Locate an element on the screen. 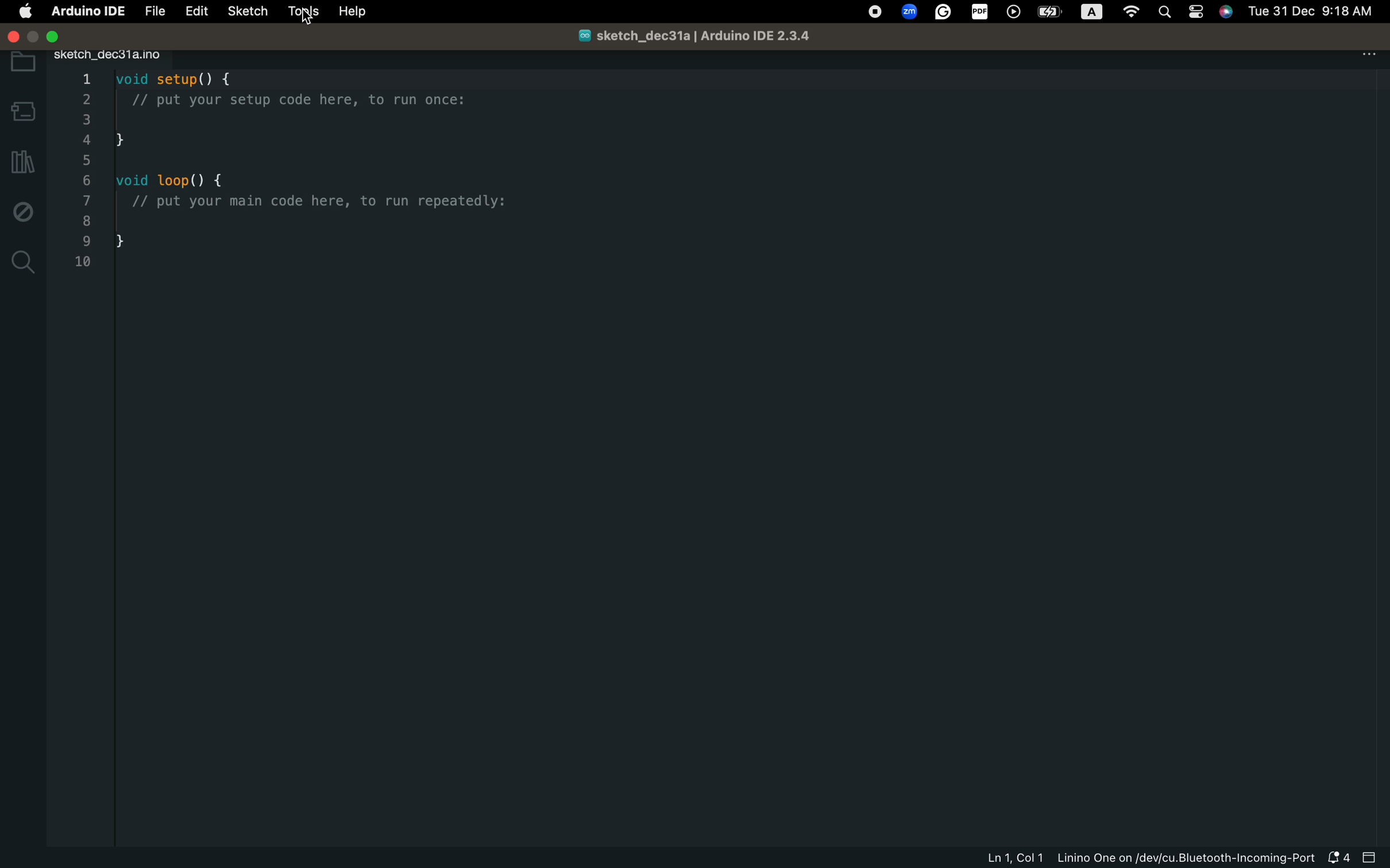  file tab is located at coordinates (115, 54).